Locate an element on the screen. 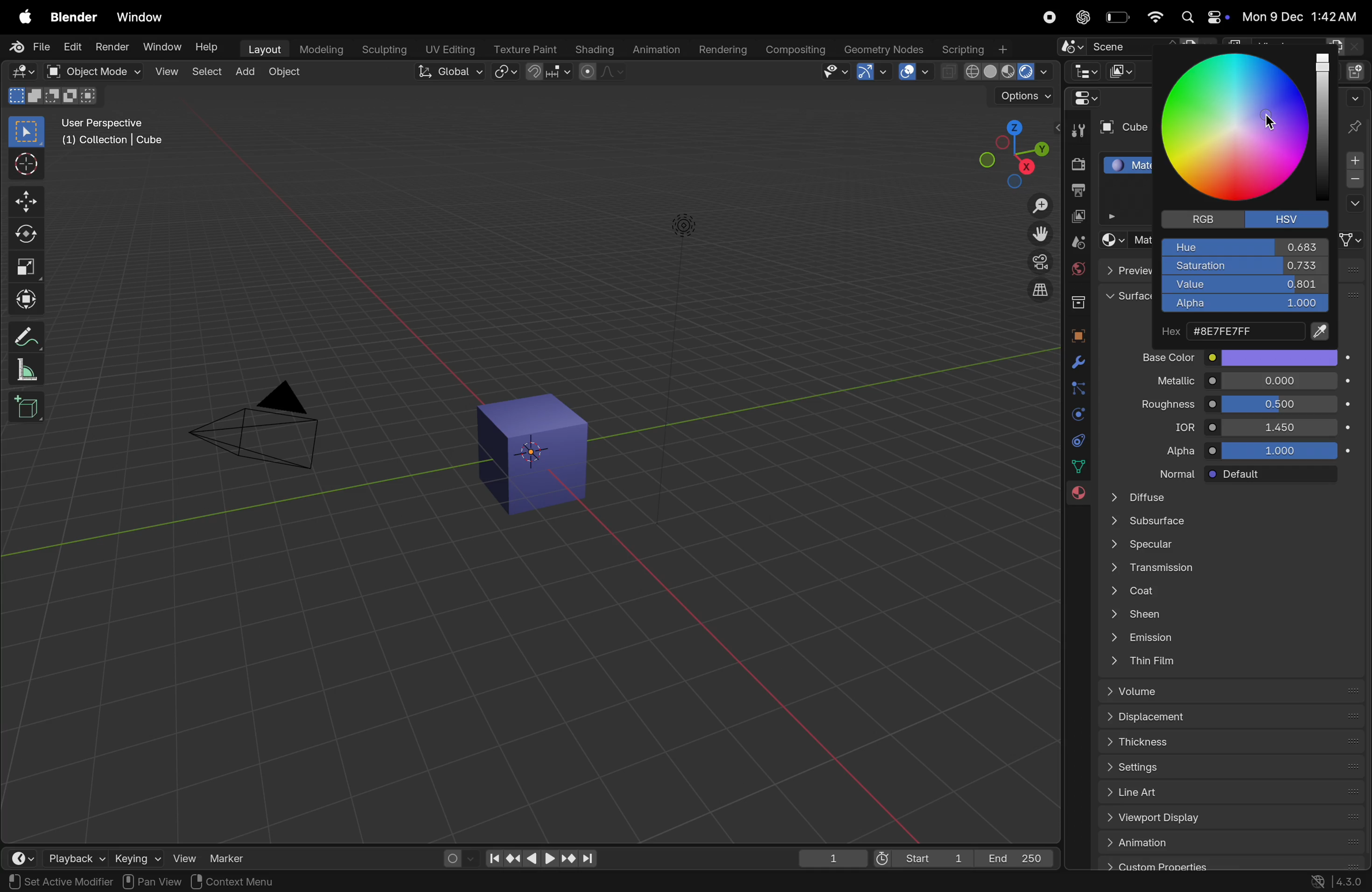 The height and width of the screenshot is (892, 1372). Sauration is located at coordinates (1243, 266).